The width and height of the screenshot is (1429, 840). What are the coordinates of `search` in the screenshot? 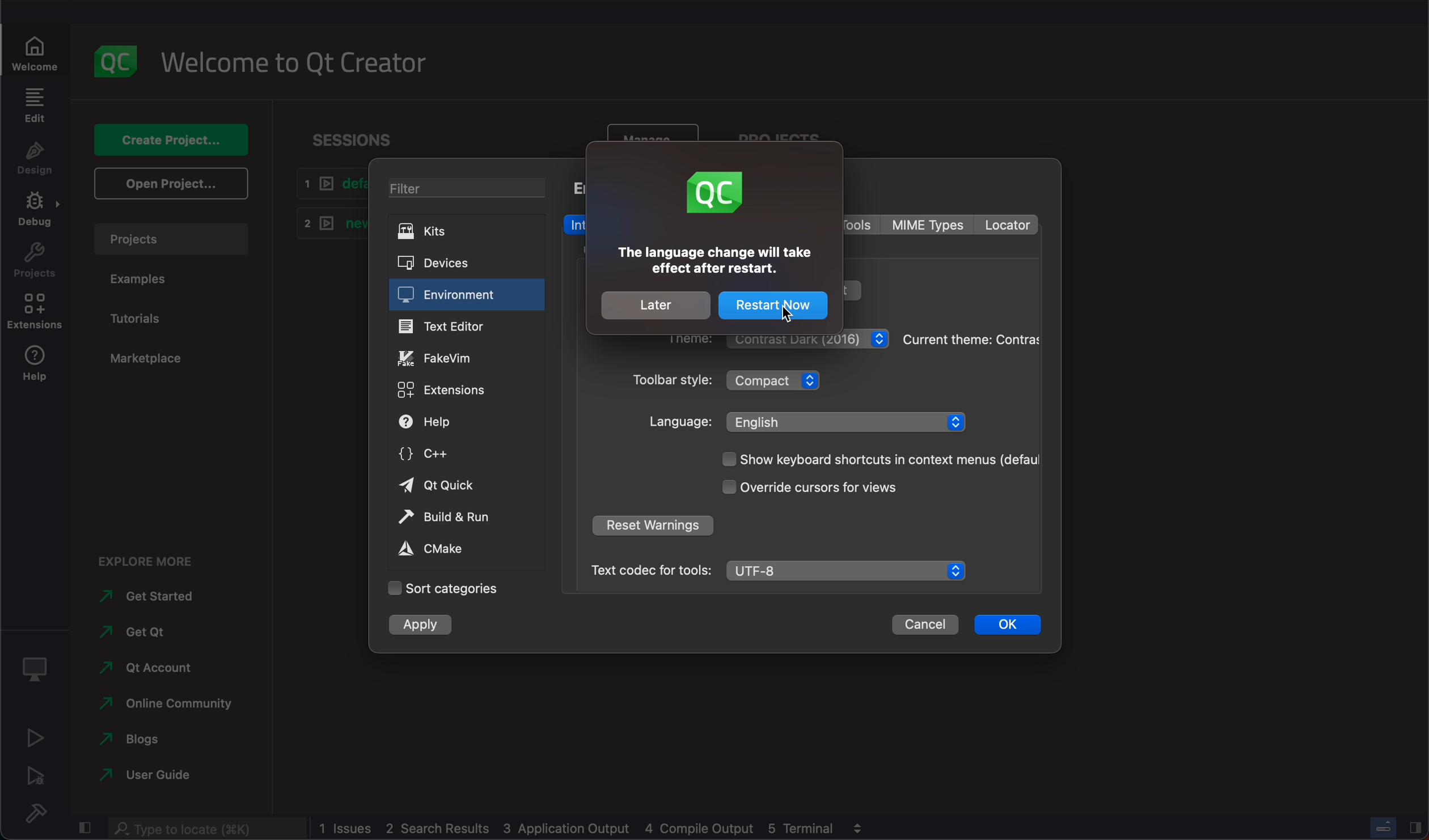 It's located at (210, 829).